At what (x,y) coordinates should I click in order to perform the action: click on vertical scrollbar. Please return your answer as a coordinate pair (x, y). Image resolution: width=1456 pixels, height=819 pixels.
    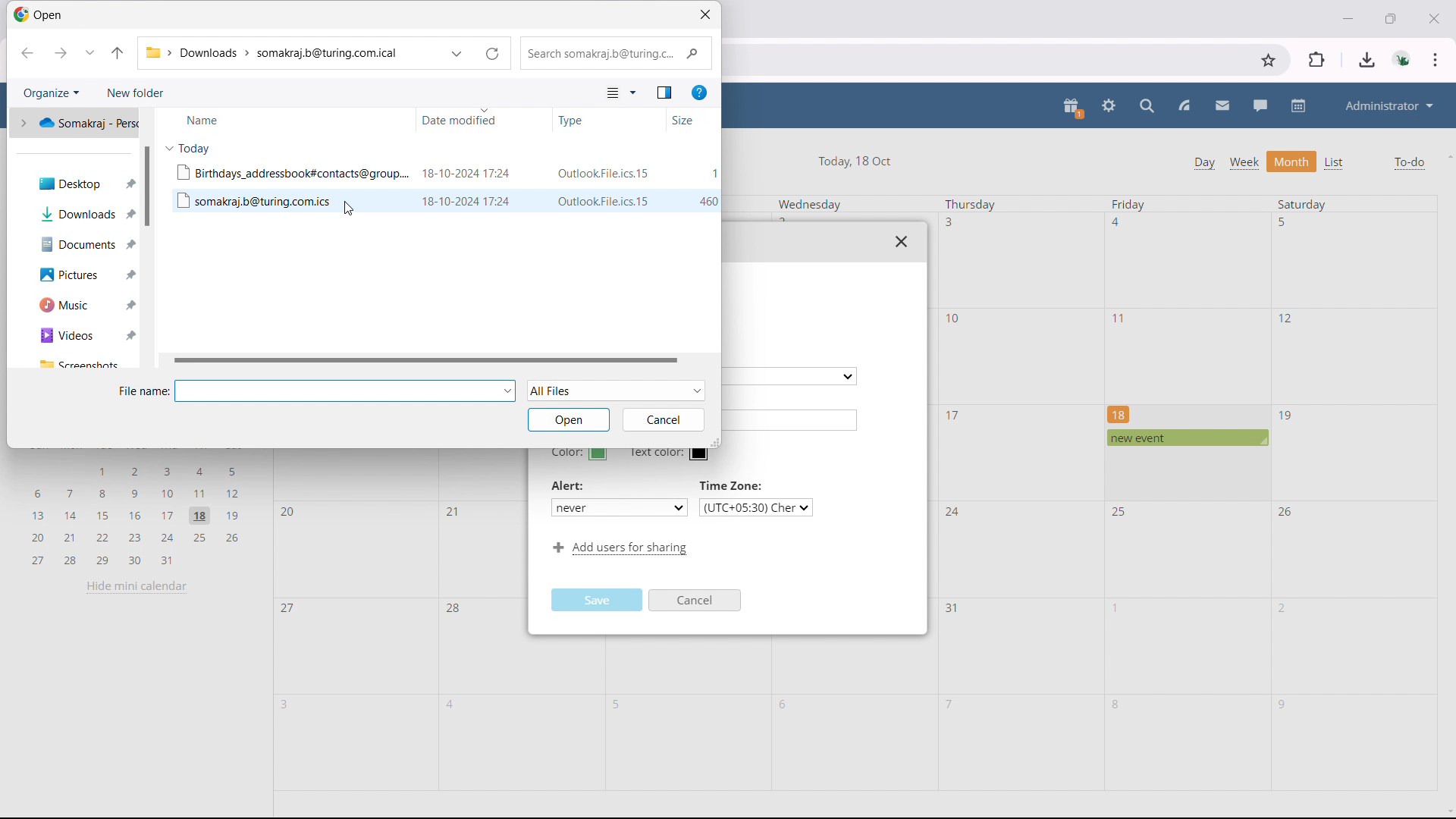
    Looking at the image, I should click on (147, 187).